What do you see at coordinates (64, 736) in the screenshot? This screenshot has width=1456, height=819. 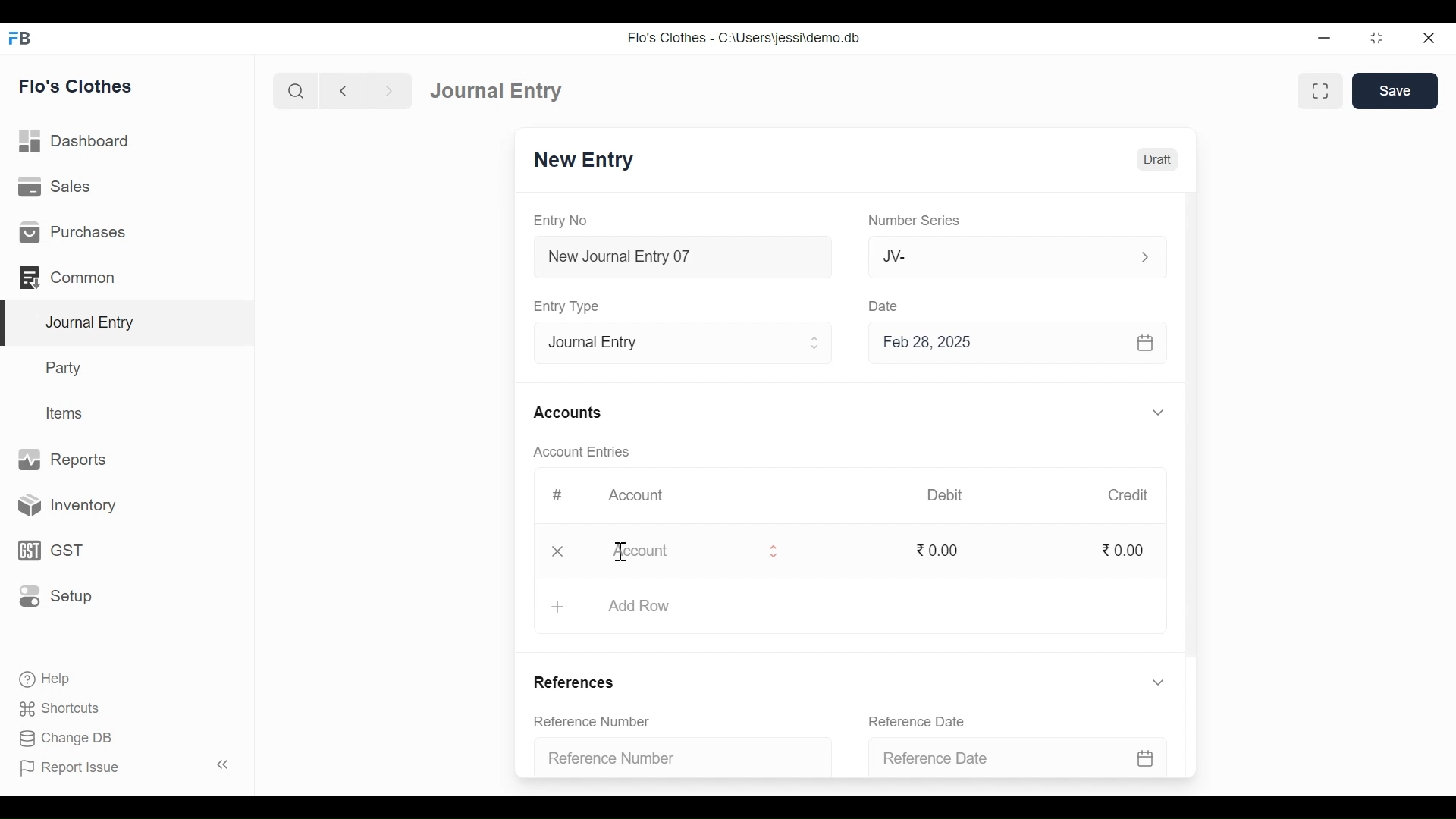 I see `Change DB` at bounding box center [64, 736].